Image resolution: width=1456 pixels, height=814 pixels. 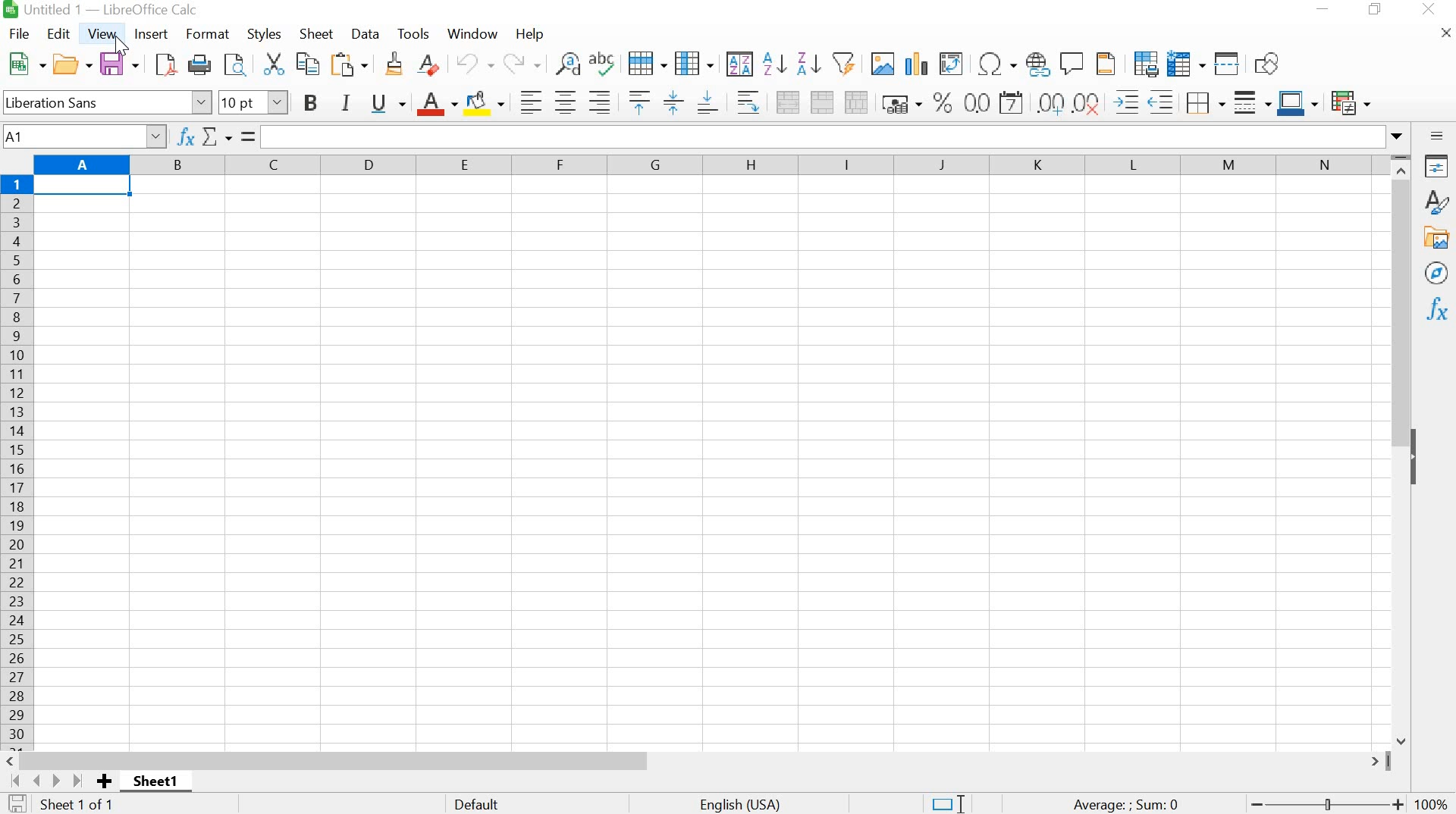 I want to click on COLUMNS, so click(x=711, y=168).